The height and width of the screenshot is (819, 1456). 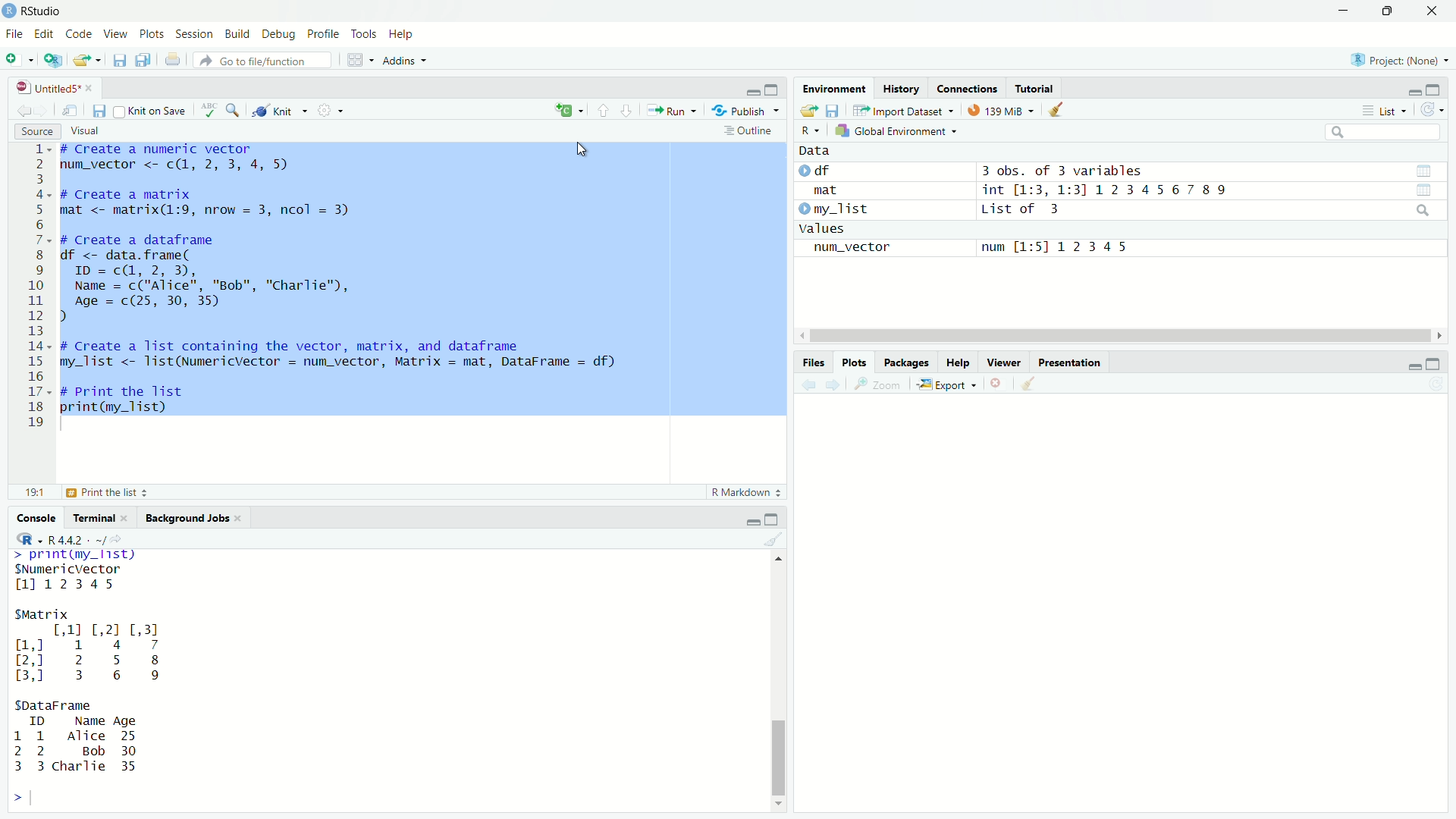 What do you see at coordinates (836, 111) in the screenshot?
I see `files` at bounding box center [836, 111].